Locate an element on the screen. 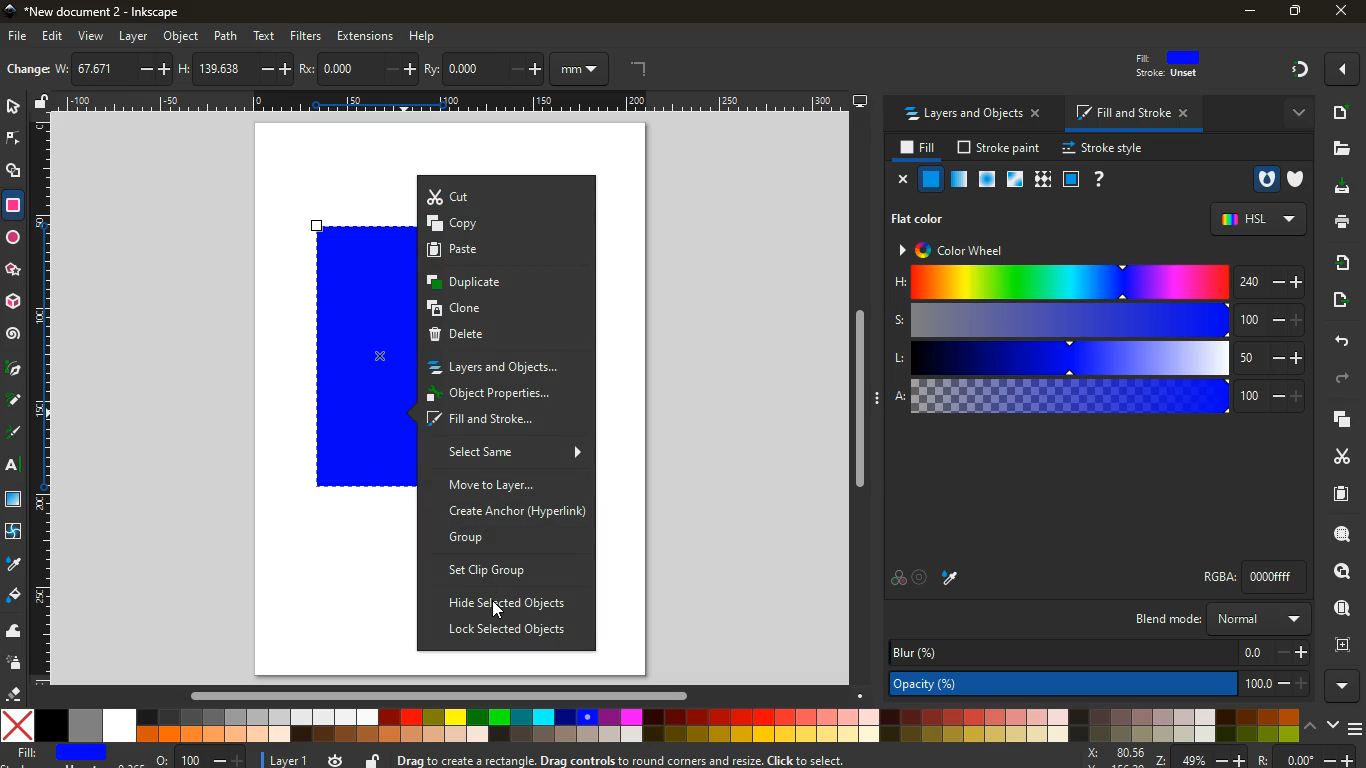  twist is located at coordinates (15, 533).